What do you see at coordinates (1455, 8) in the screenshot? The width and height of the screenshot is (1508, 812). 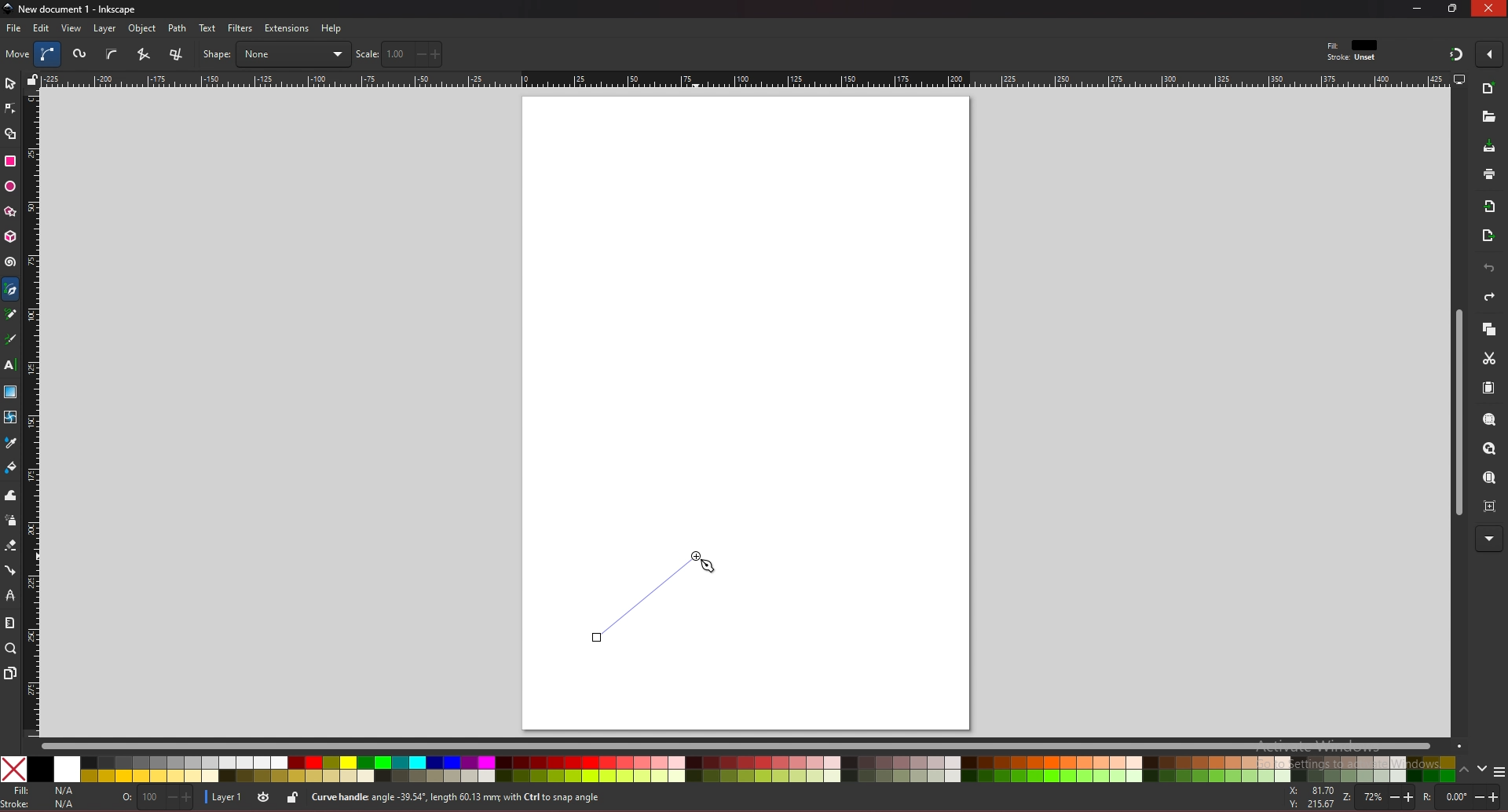 I see `resize` at bounding box center [1455, 8].